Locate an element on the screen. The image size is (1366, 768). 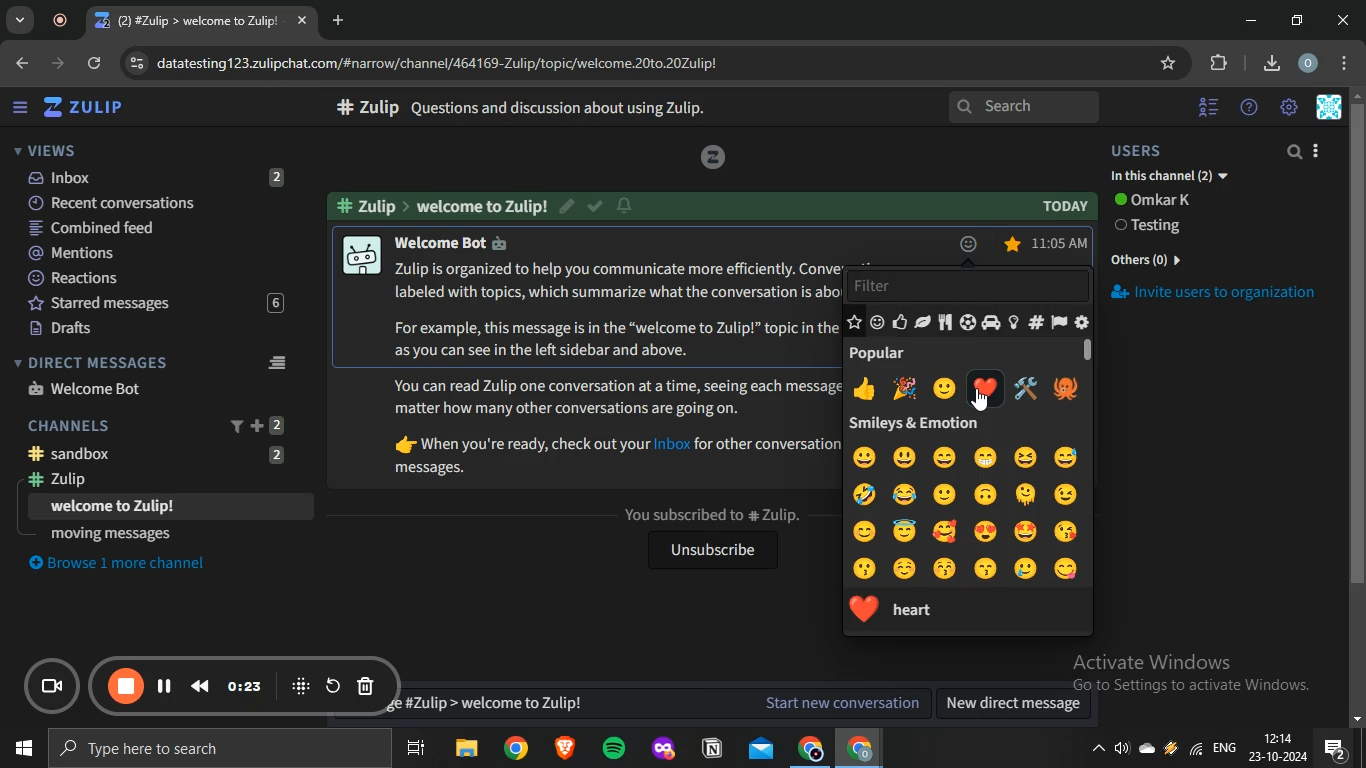
animal and nature is located at coordinates (923, 323).